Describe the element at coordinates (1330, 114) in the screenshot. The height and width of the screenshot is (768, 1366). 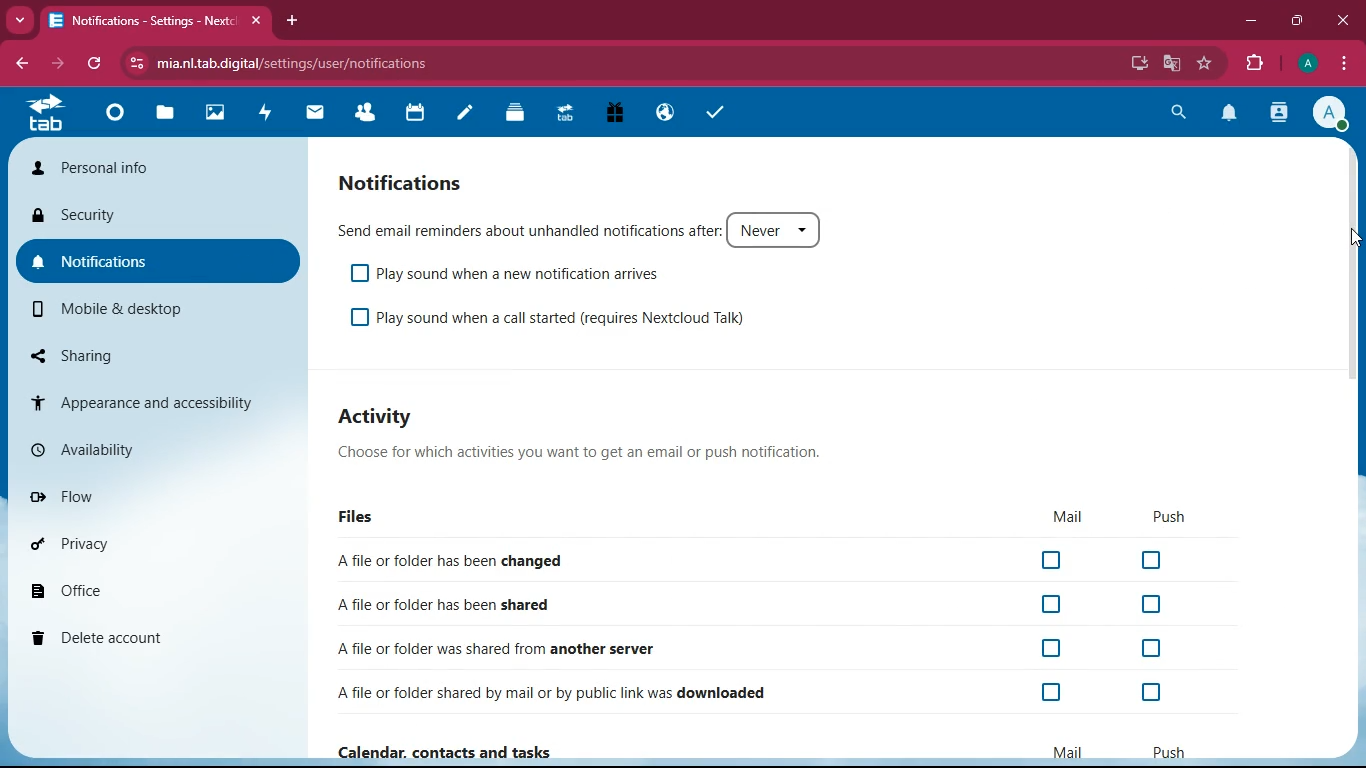
I see `profile` at that location.